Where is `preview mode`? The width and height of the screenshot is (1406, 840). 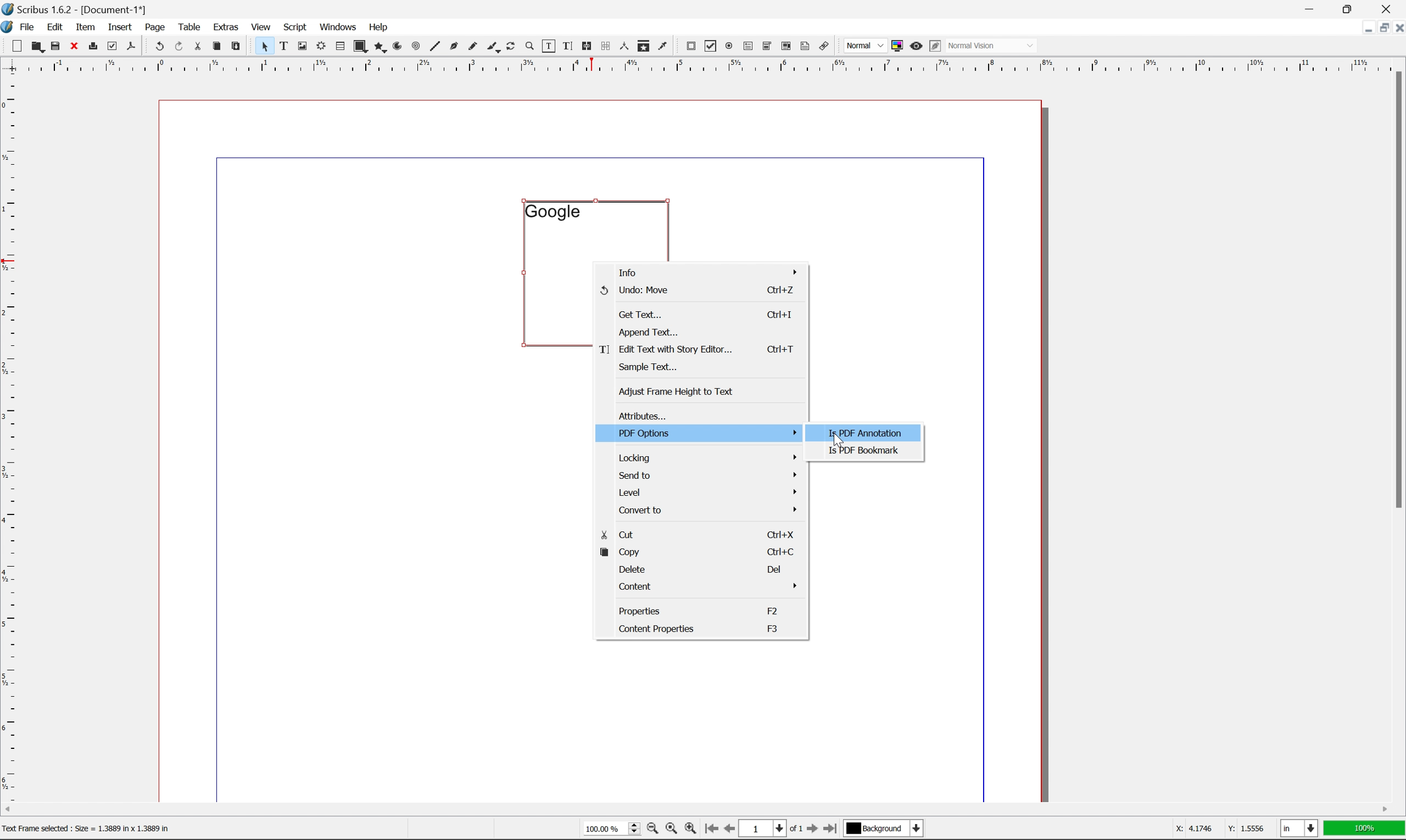 preview mode is located at coordinates (914, 45).